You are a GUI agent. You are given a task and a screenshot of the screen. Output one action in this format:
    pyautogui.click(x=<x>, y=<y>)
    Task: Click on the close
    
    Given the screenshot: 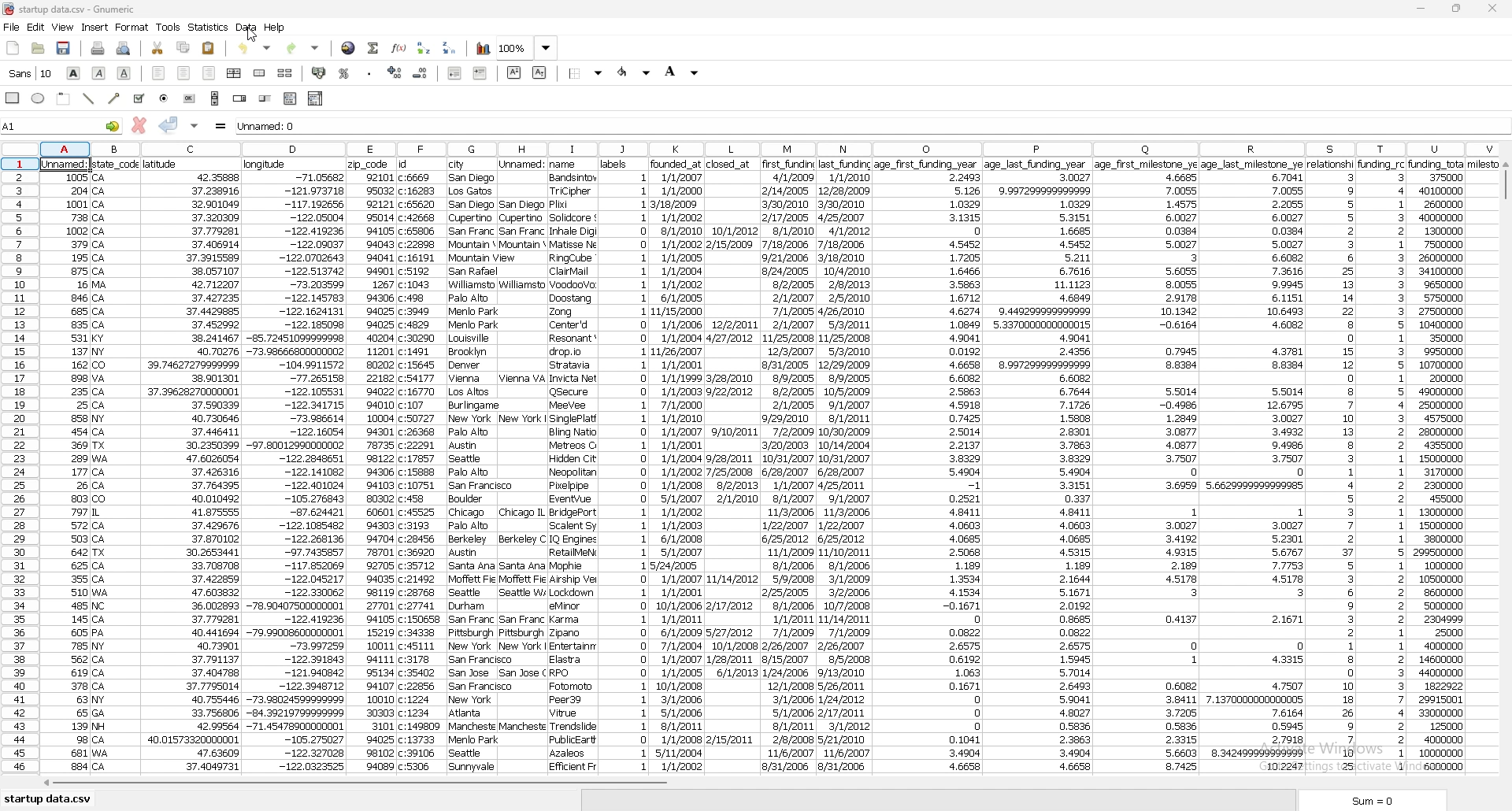 What is the action you would take?
    pyautogui.click(x=1492, y=9)
    